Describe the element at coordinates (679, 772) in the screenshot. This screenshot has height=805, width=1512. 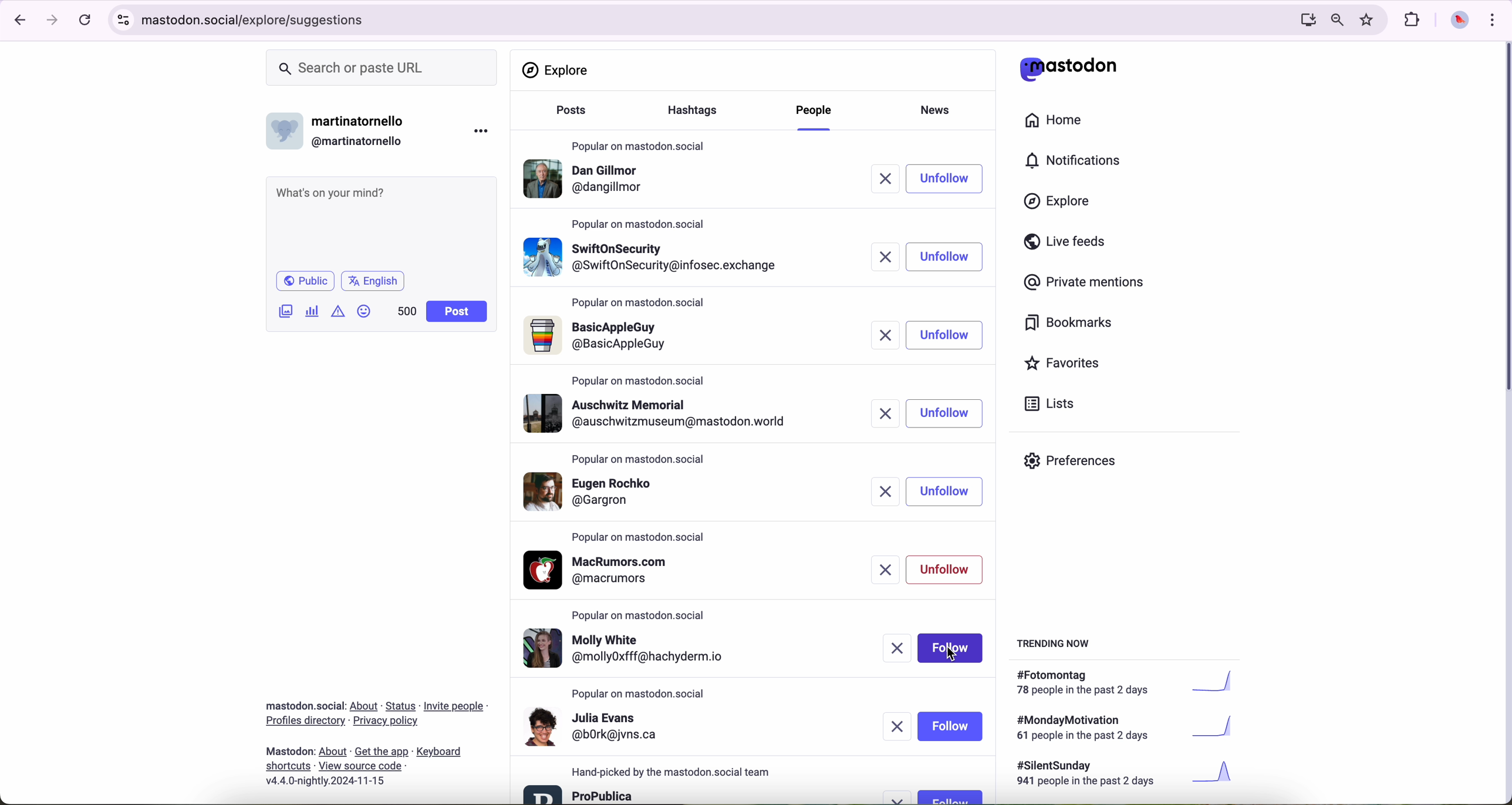
I see `hand-picked by the mastodon.social` at that location.